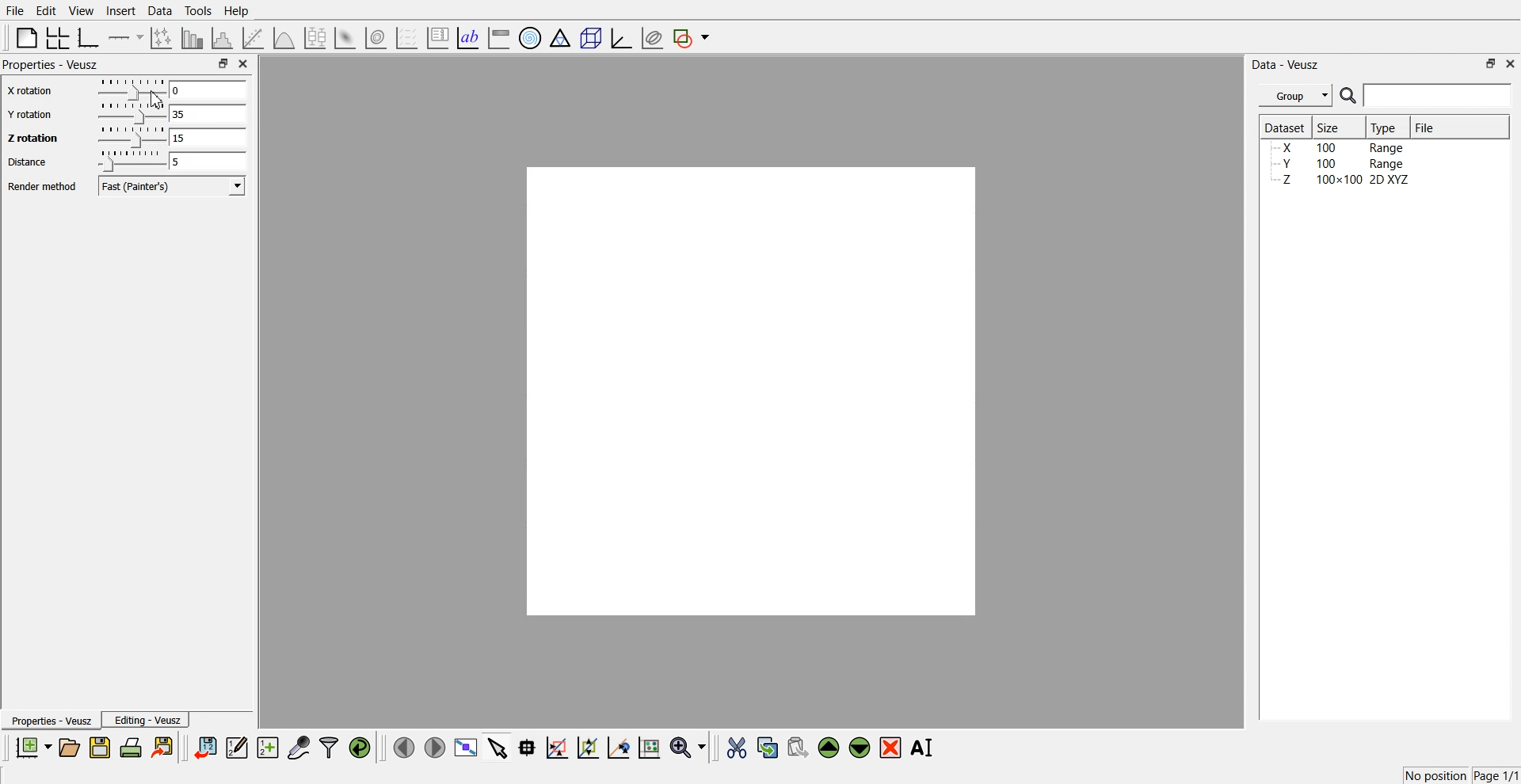 Image resolution: width=1521 pixels, height=784 pixels. I want to click on Data - Veusz, so click(1285, 65).